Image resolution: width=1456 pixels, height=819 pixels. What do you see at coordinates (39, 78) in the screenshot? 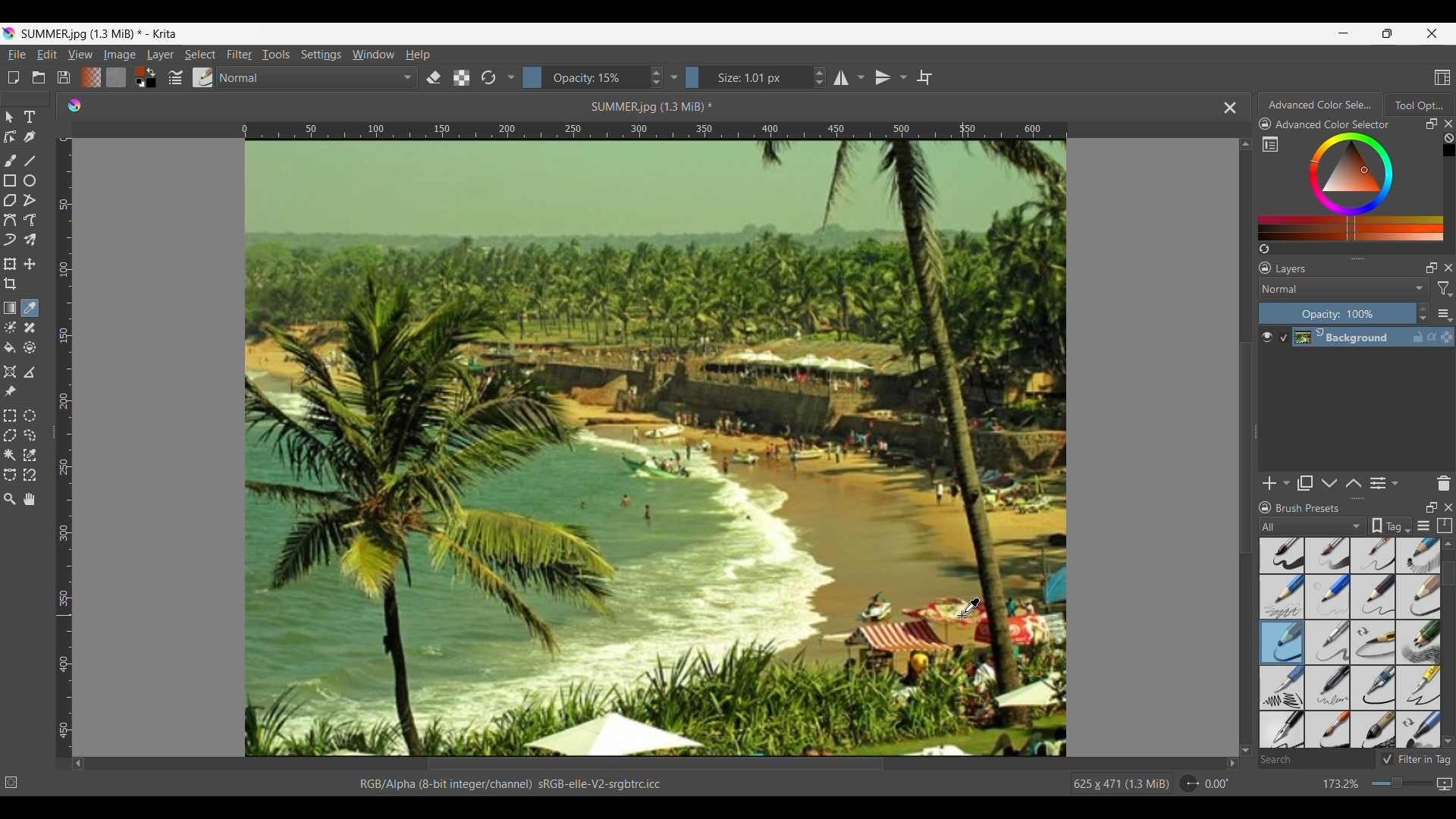
I see `Open an existing document` at bounding box center [39, 78].